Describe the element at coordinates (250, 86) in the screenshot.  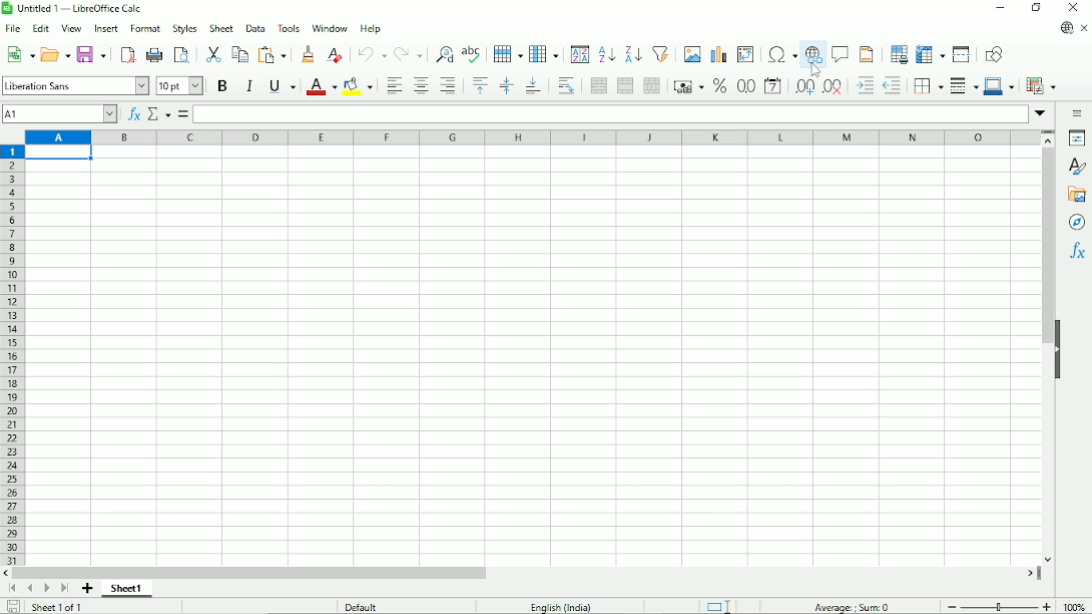
I see `Italic` at that location.